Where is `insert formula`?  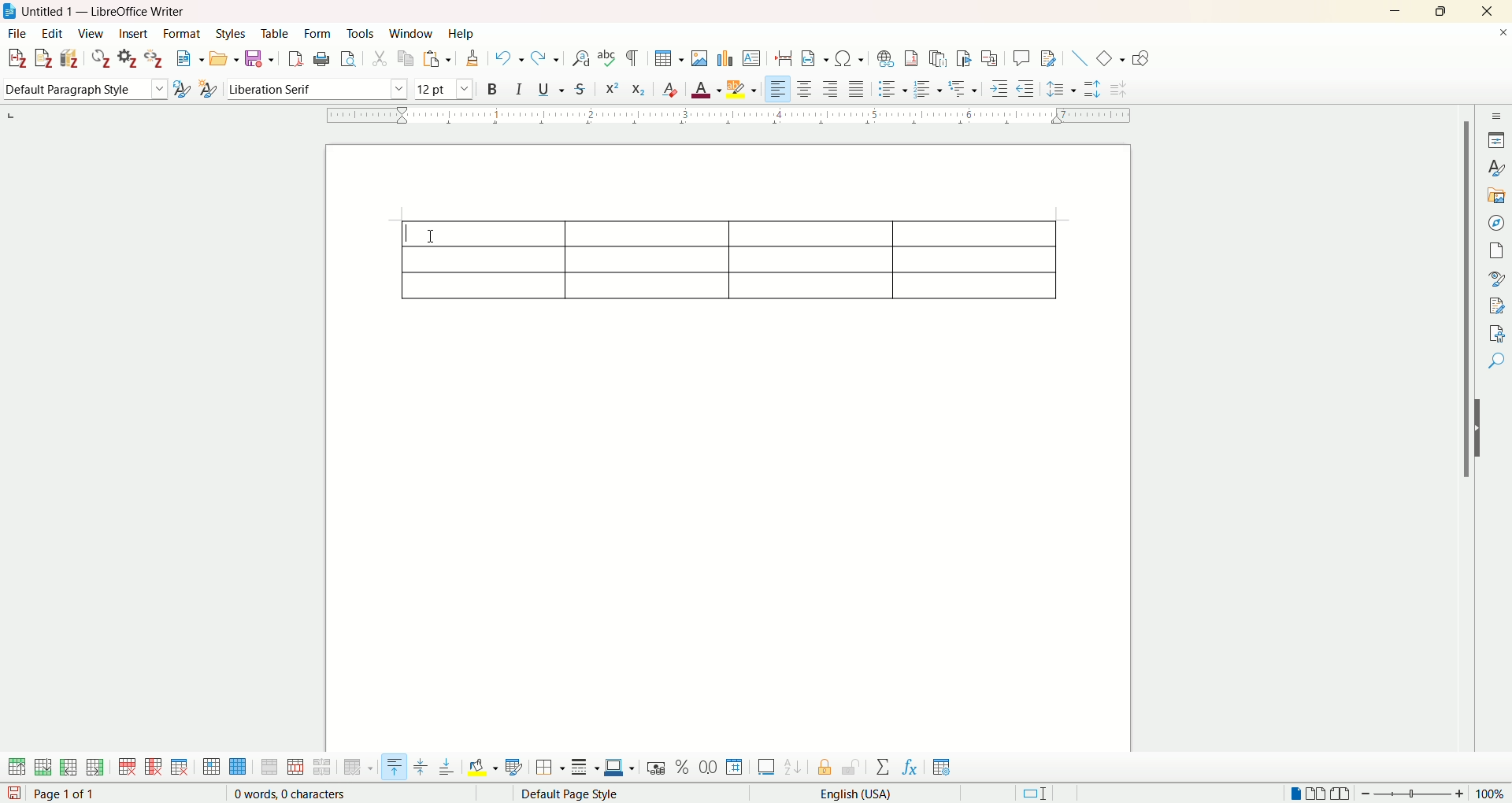
insert formula is located at coordinates (911, 768).